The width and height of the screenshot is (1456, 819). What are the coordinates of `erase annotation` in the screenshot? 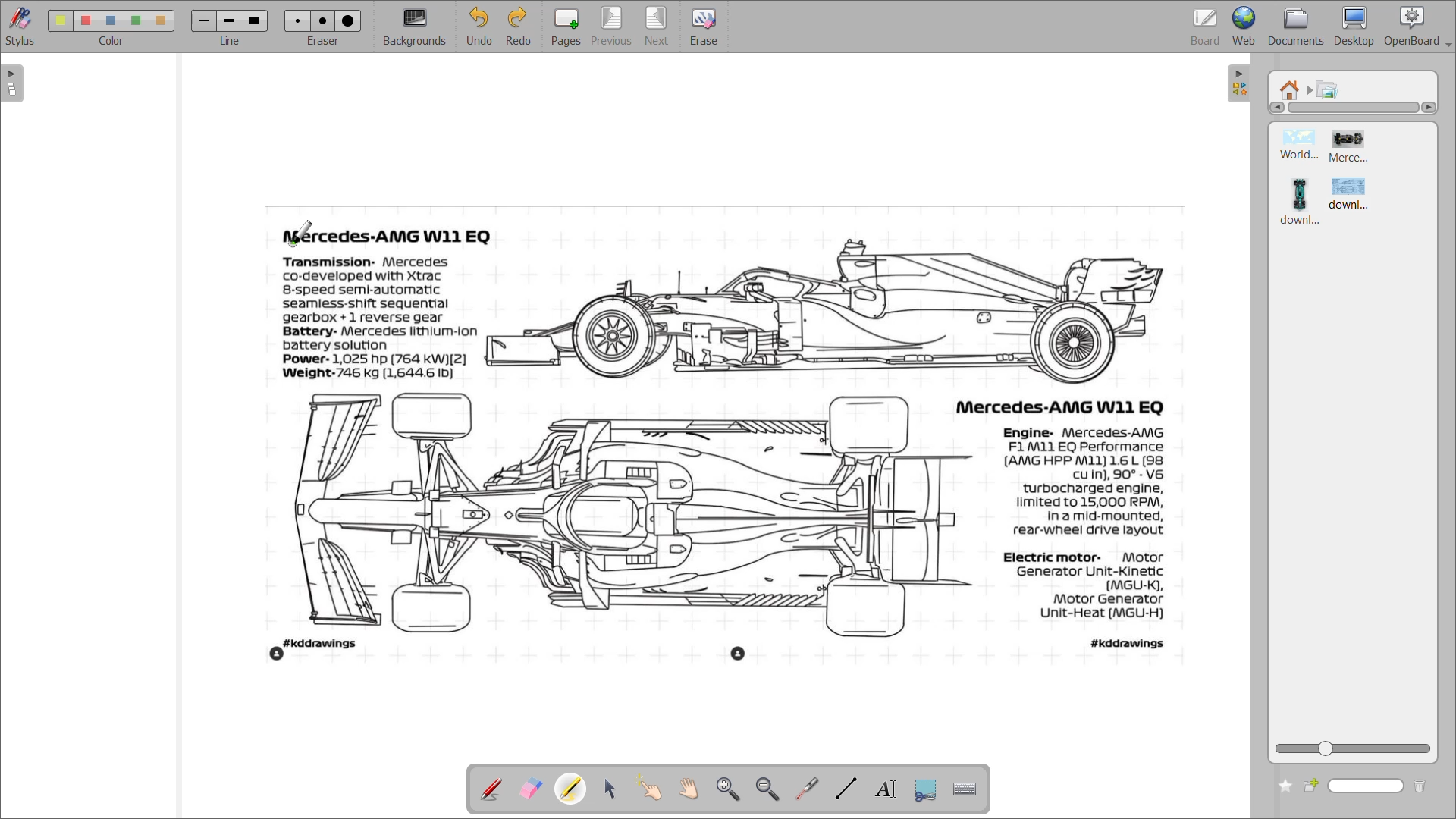 It's located at (533, 789).